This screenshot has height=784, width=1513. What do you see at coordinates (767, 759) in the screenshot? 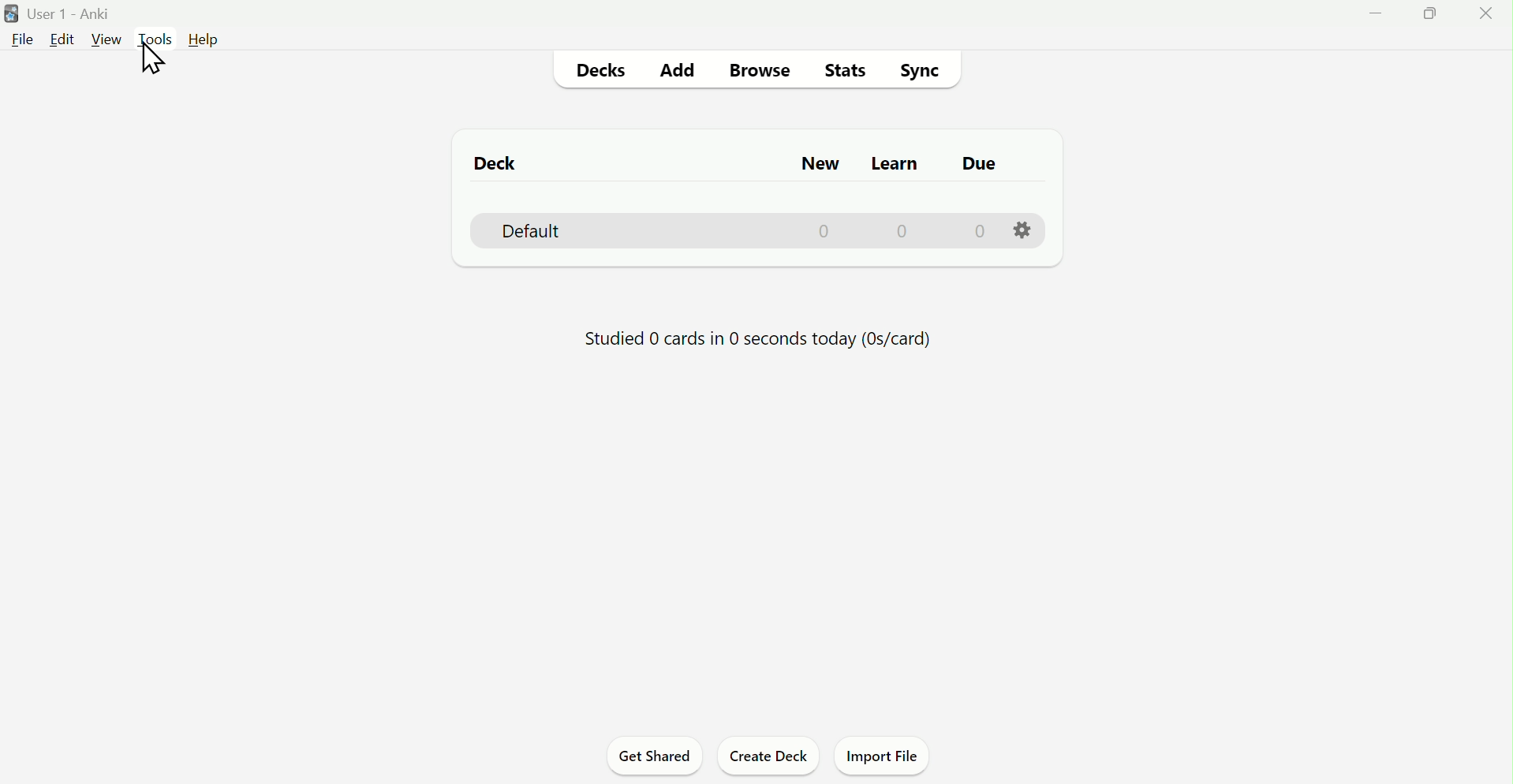
I see `Create deck` at bounding box center [767, 759].